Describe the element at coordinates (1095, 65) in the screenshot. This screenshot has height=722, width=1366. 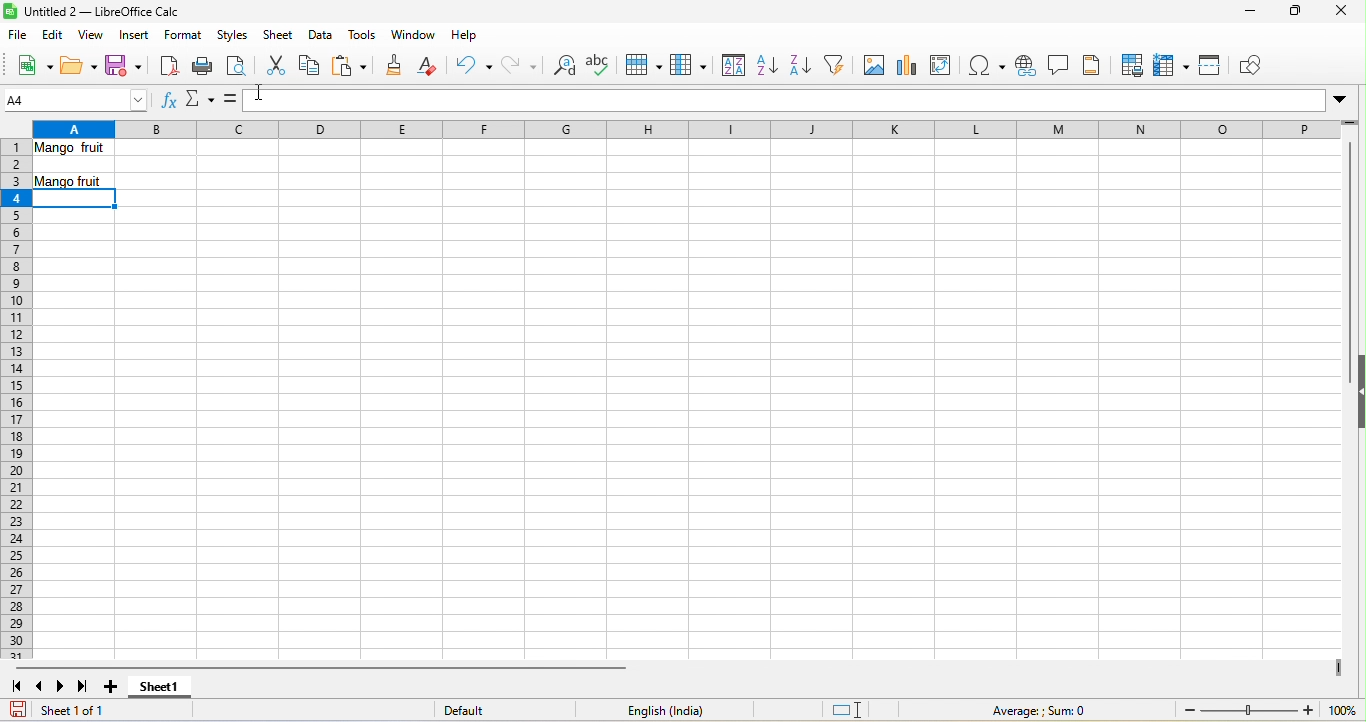
I see `header and footer` at that location.